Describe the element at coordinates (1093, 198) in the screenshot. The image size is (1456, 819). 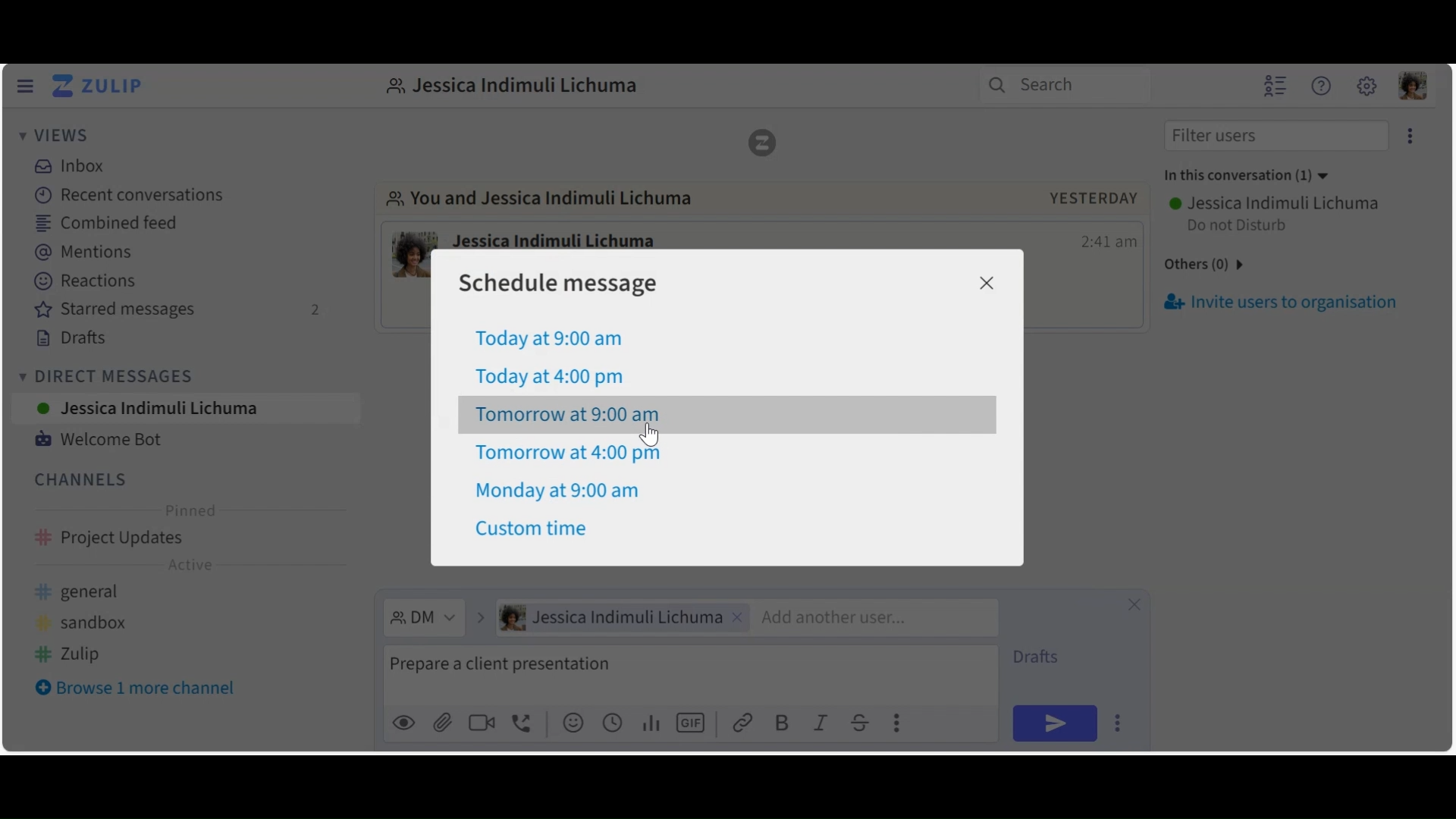
I see `yesterday` at that location.